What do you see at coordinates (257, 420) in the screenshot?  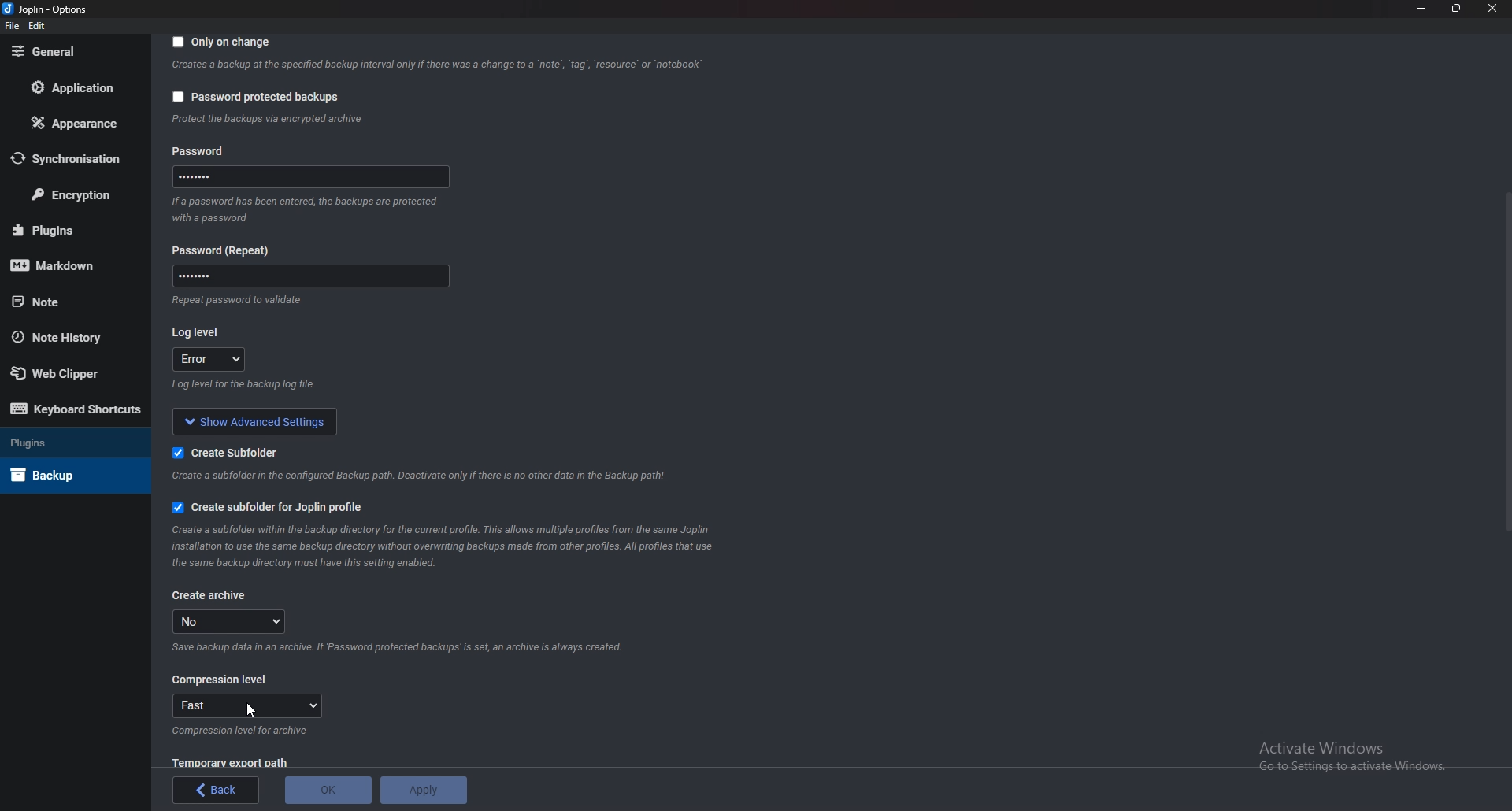 I see `Show advanced settings` at bounding box center [257, 420].